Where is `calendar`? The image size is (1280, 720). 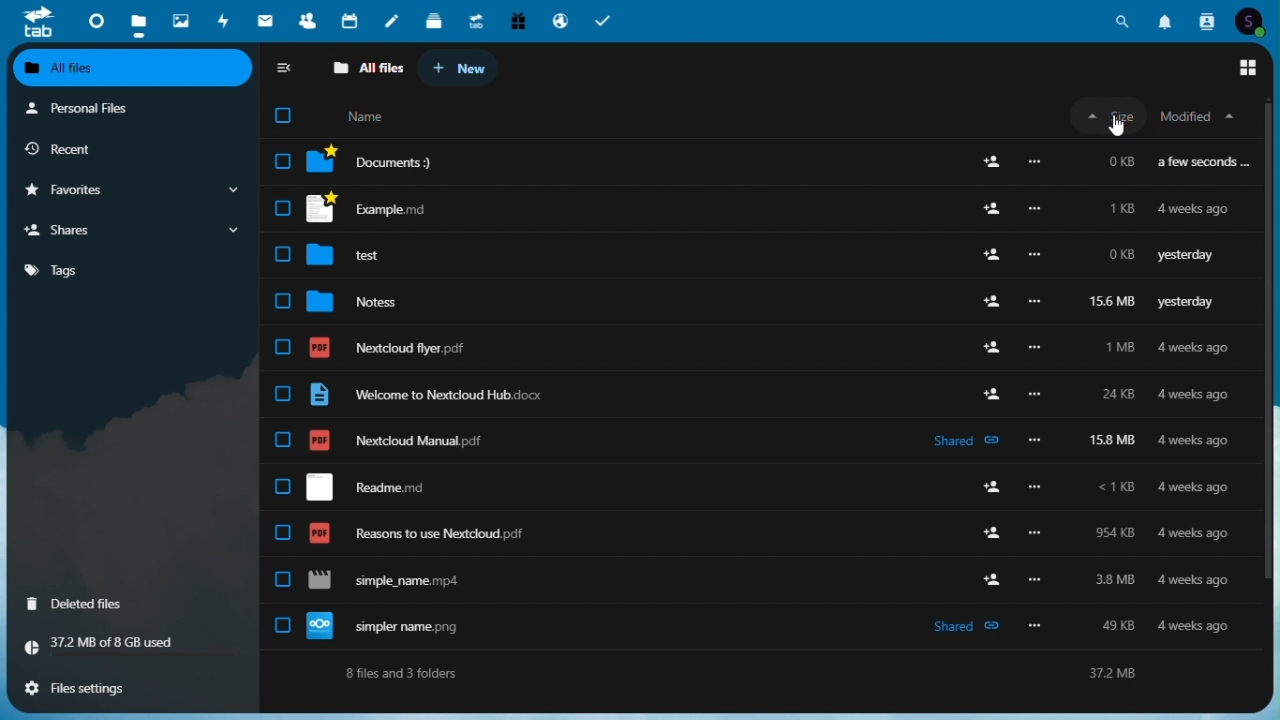
calendar is located at coordinates (352, 20).